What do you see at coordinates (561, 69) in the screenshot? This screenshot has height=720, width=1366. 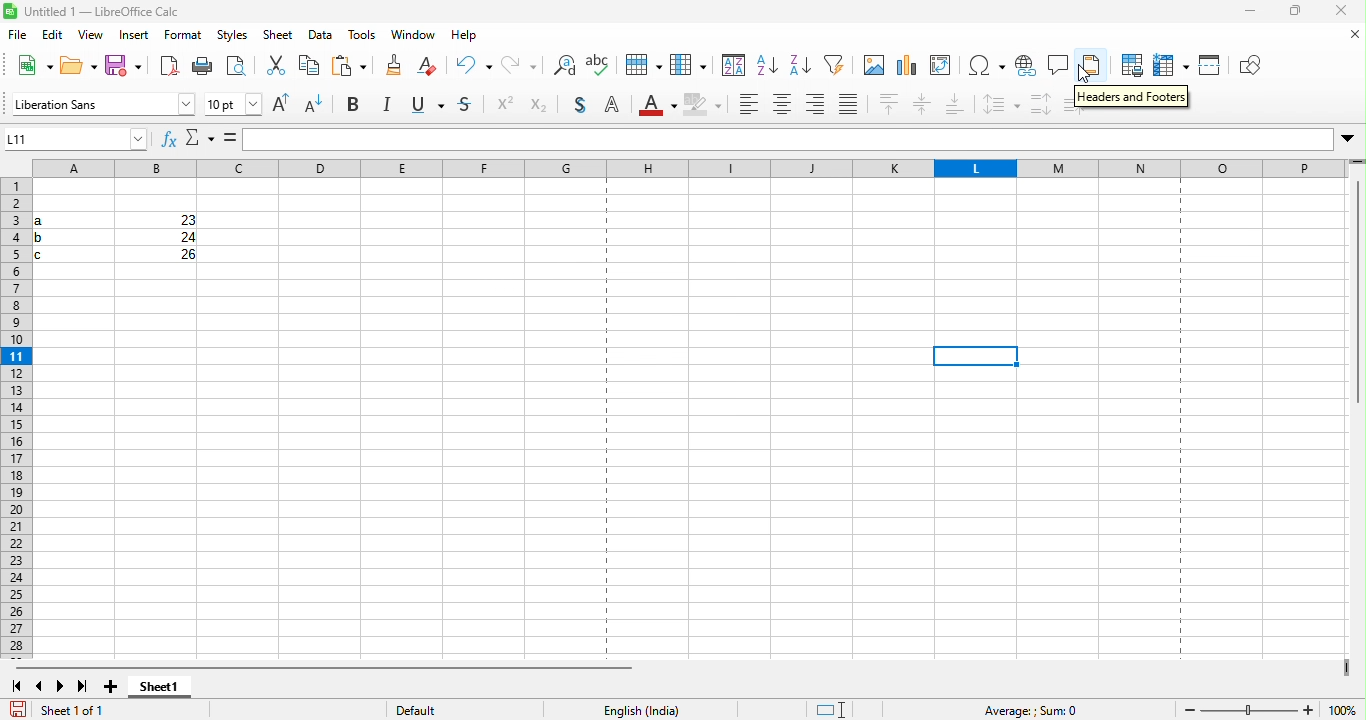 I see `spelling` at bounding box center [561, 69].